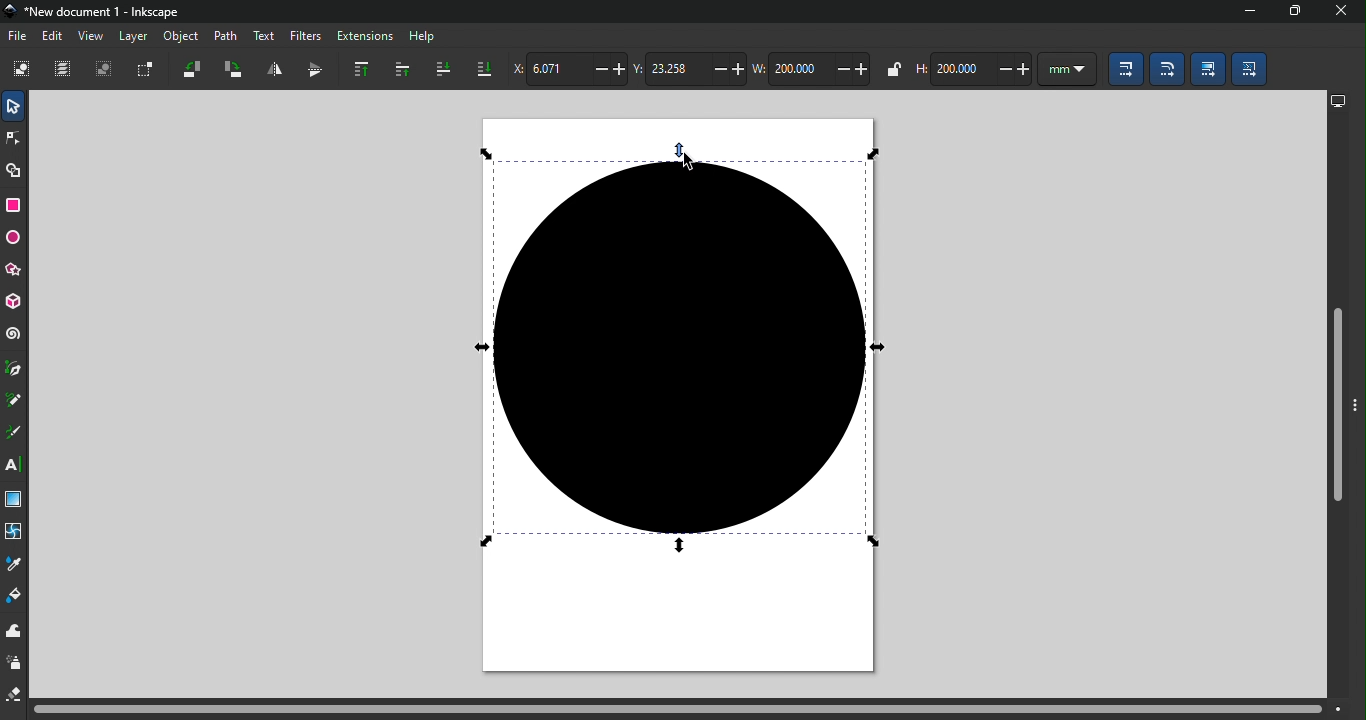 The height and width of the screenshot is (720, 1366). What do you see at coordinates (812, 68) in the screenshot?
I see `width of selection` at bounding box center [812, 68].